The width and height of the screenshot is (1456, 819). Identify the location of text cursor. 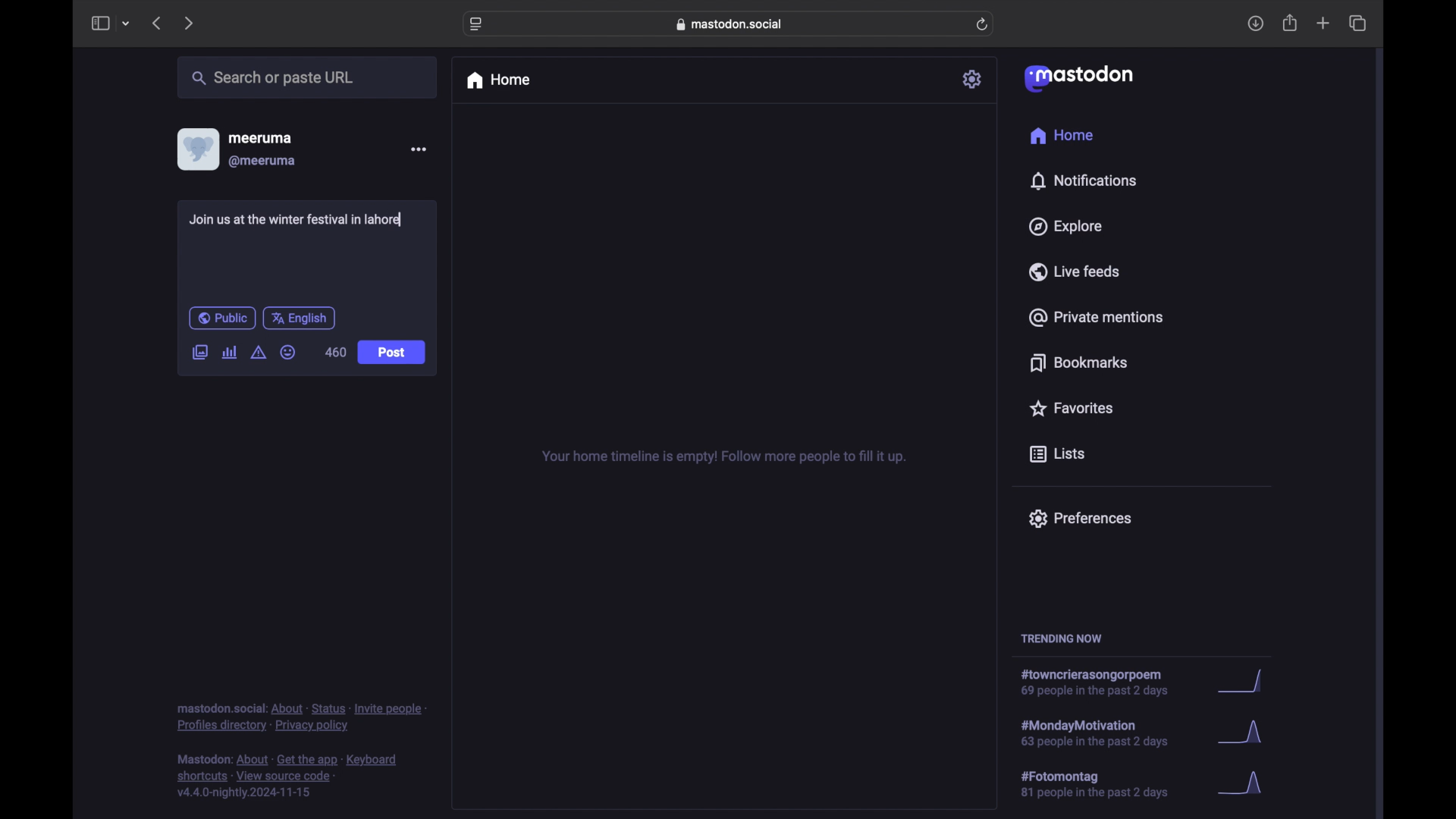
(403, 218).